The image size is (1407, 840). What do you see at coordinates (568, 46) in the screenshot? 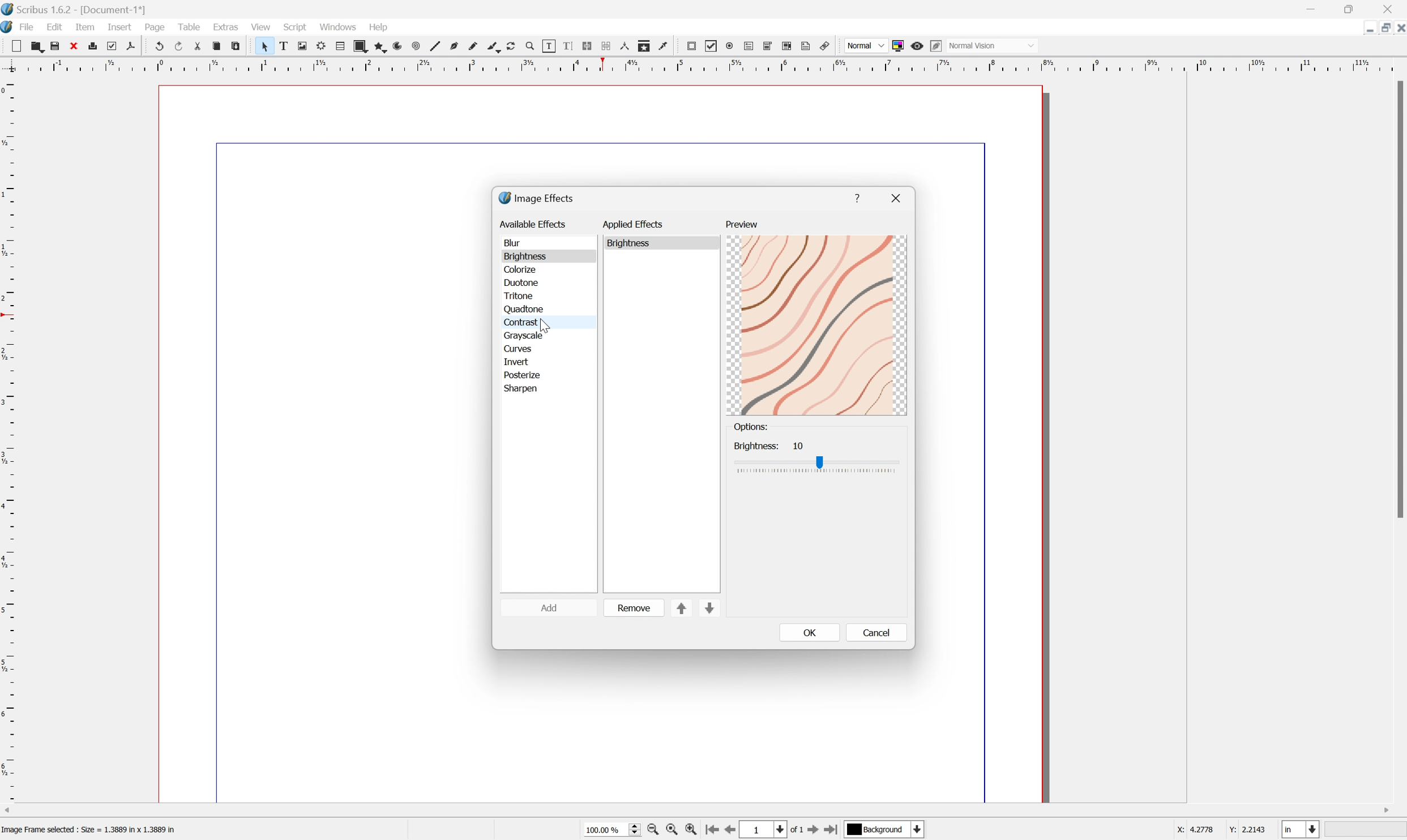
I see `Edit text with story editor` at bounding box center [568, 46].